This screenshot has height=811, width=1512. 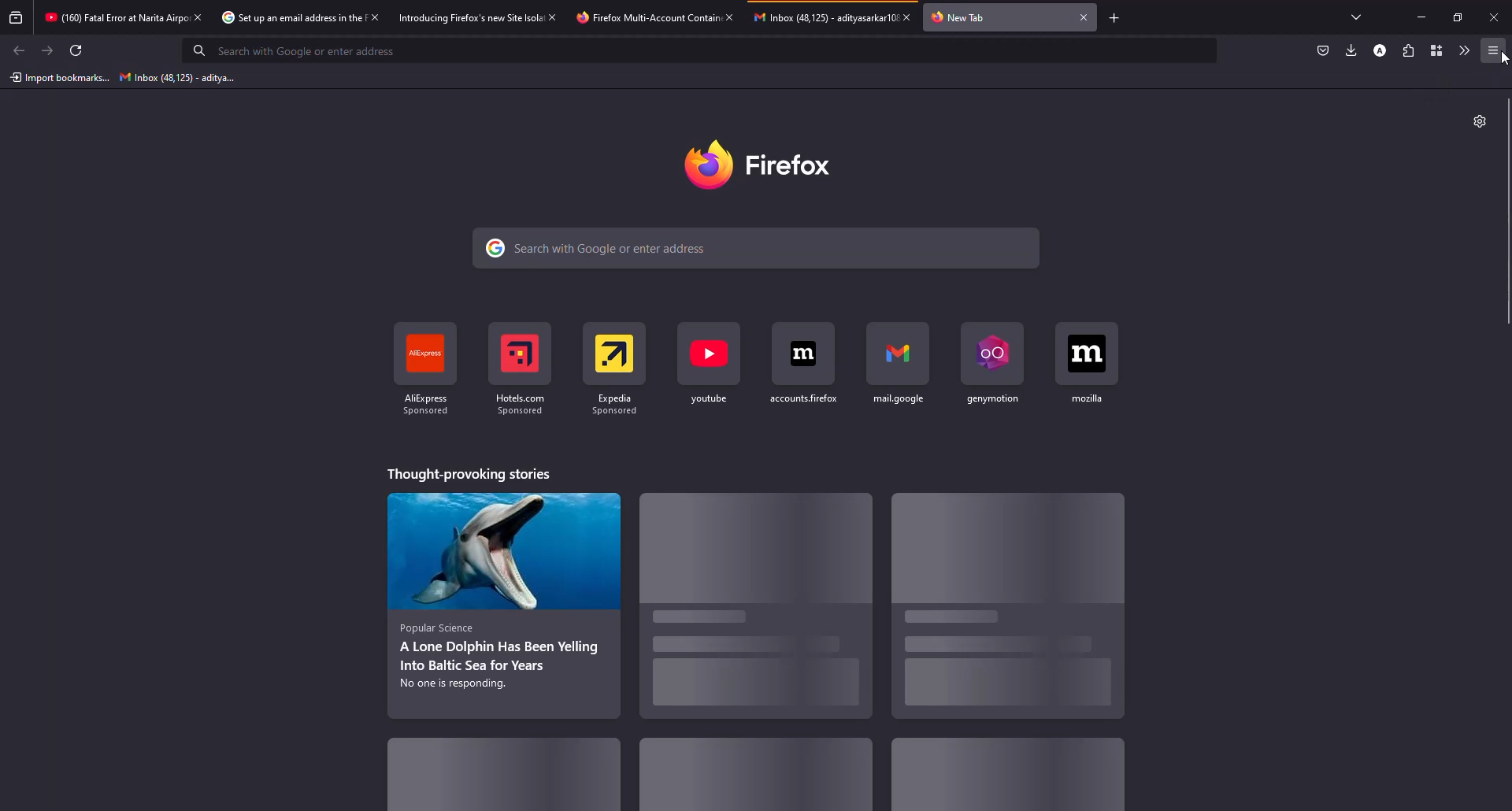 I want to click on stories, so click(x=754, y=775).